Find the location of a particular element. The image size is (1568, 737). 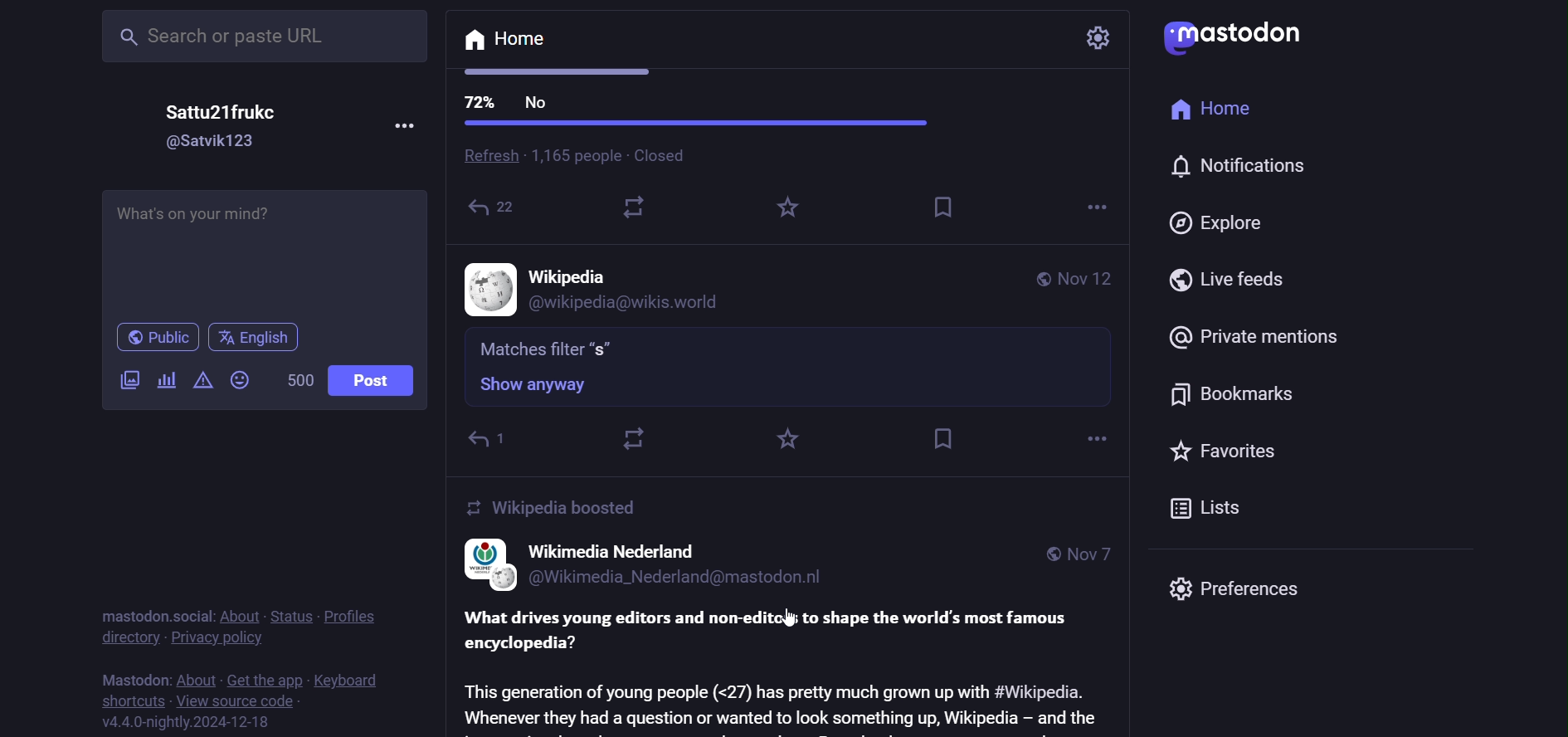

more options is located at coordinates (1095, 208).